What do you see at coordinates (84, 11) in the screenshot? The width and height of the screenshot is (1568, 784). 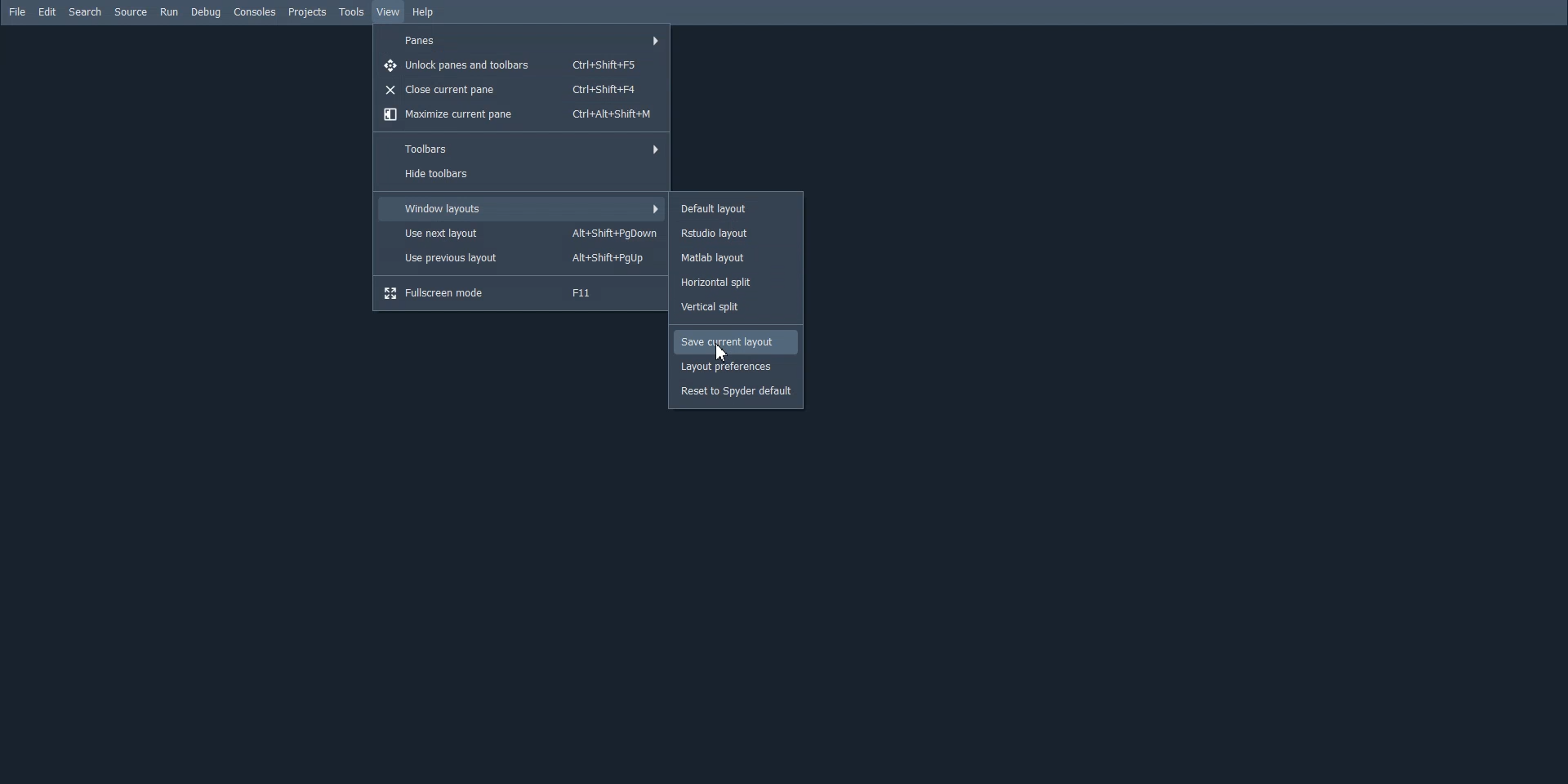 I see `Search` at bounding box center [84, 11].